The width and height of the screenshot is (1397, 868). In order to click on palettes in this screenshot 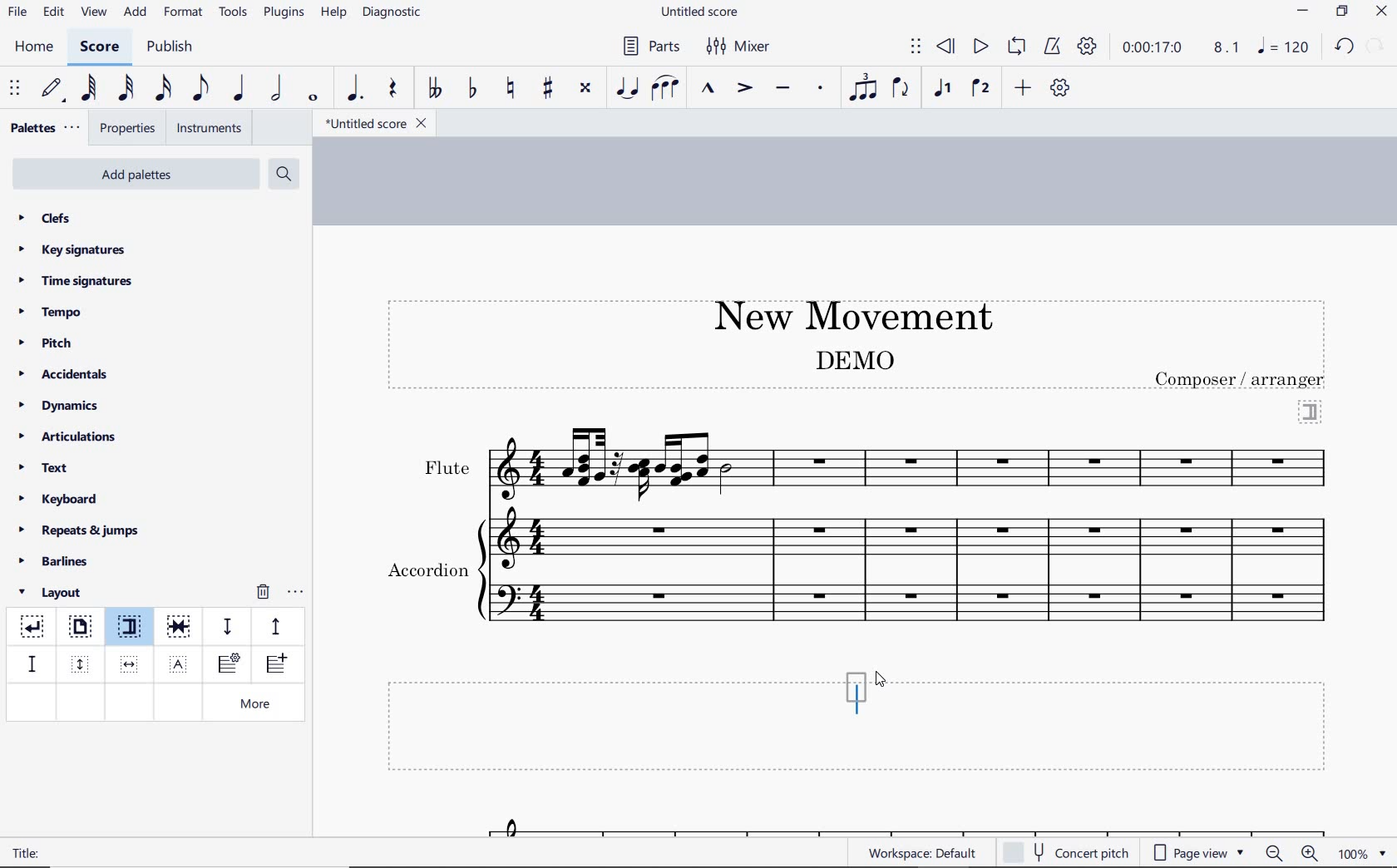, I will do `click(43, 129)`.